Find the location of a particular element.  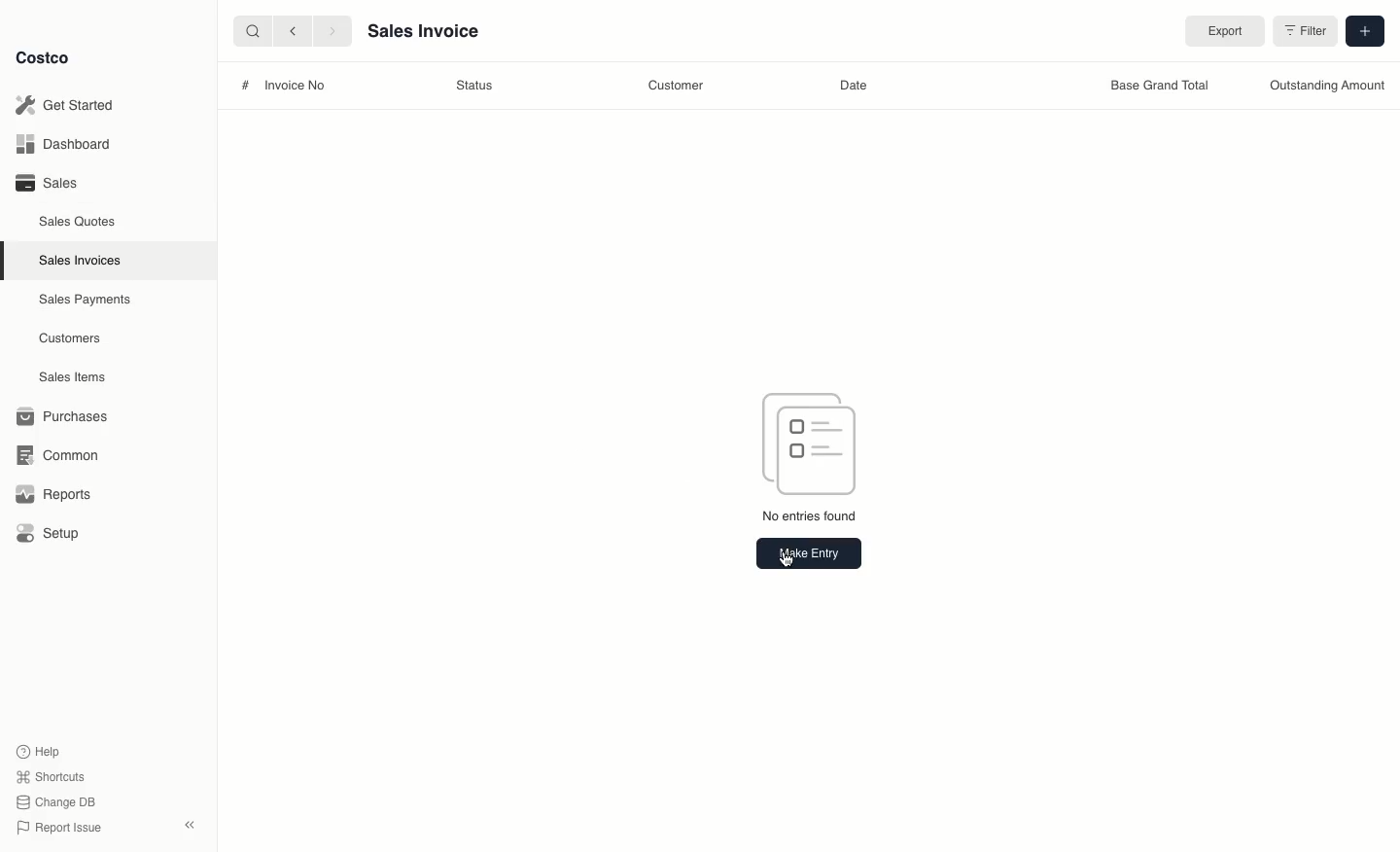

Purchases is located at coordinates (63, 416).